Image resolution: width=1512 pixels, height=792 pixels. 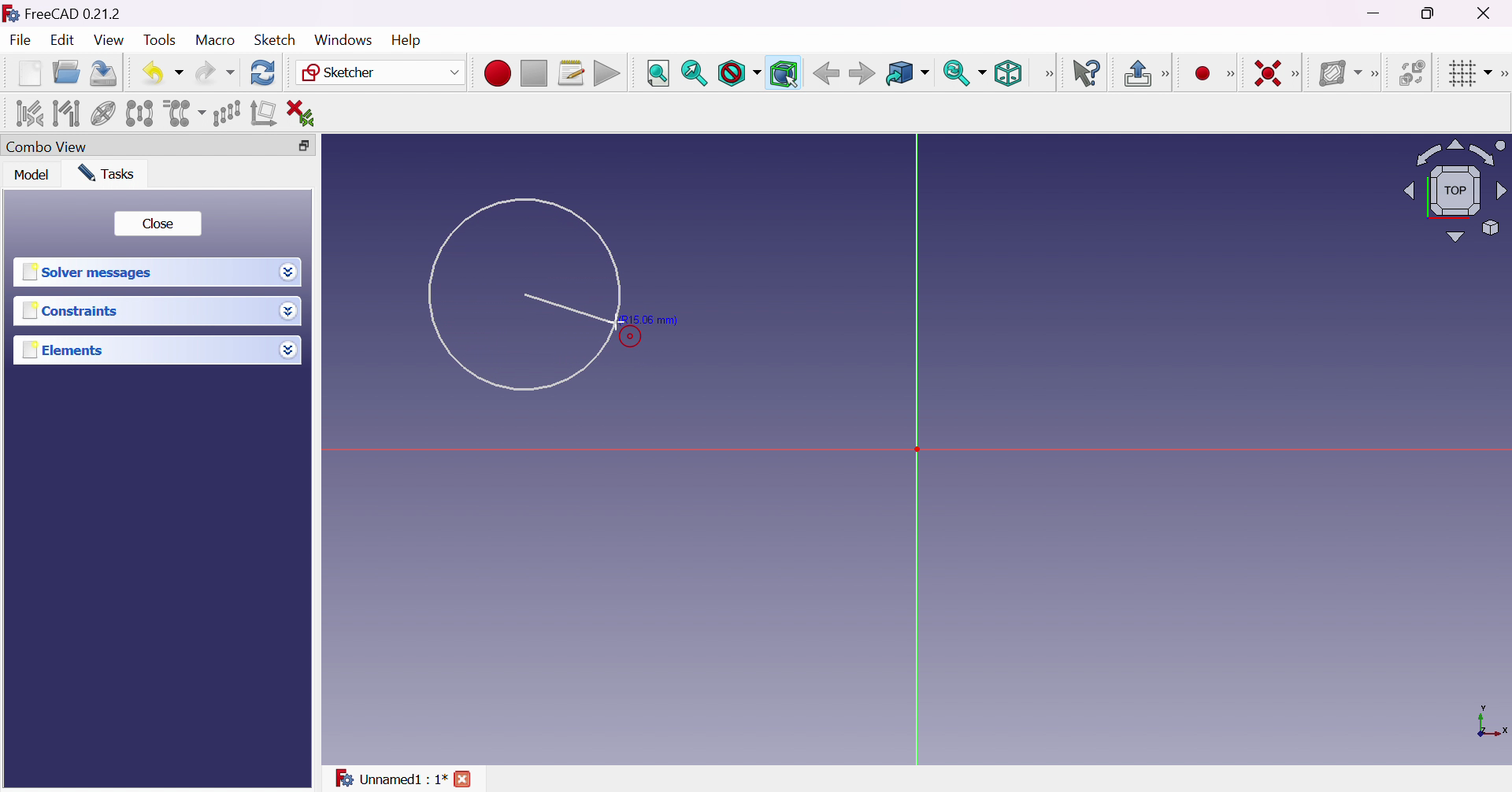 I want to click on Windows, so click(x=342, y=39).